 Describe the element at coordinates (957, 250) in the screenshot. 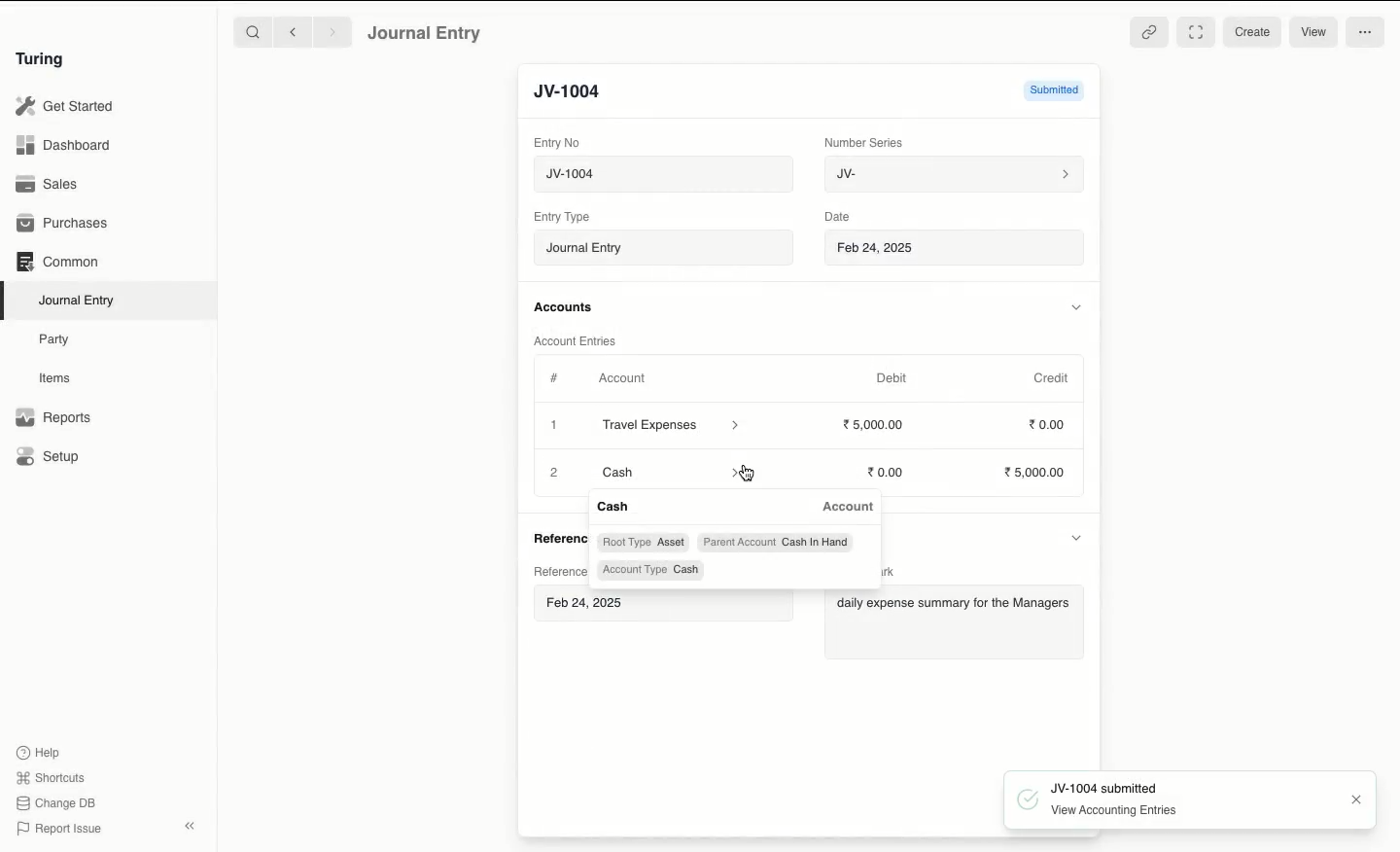

I see `Feb 24, 2025` at that location.